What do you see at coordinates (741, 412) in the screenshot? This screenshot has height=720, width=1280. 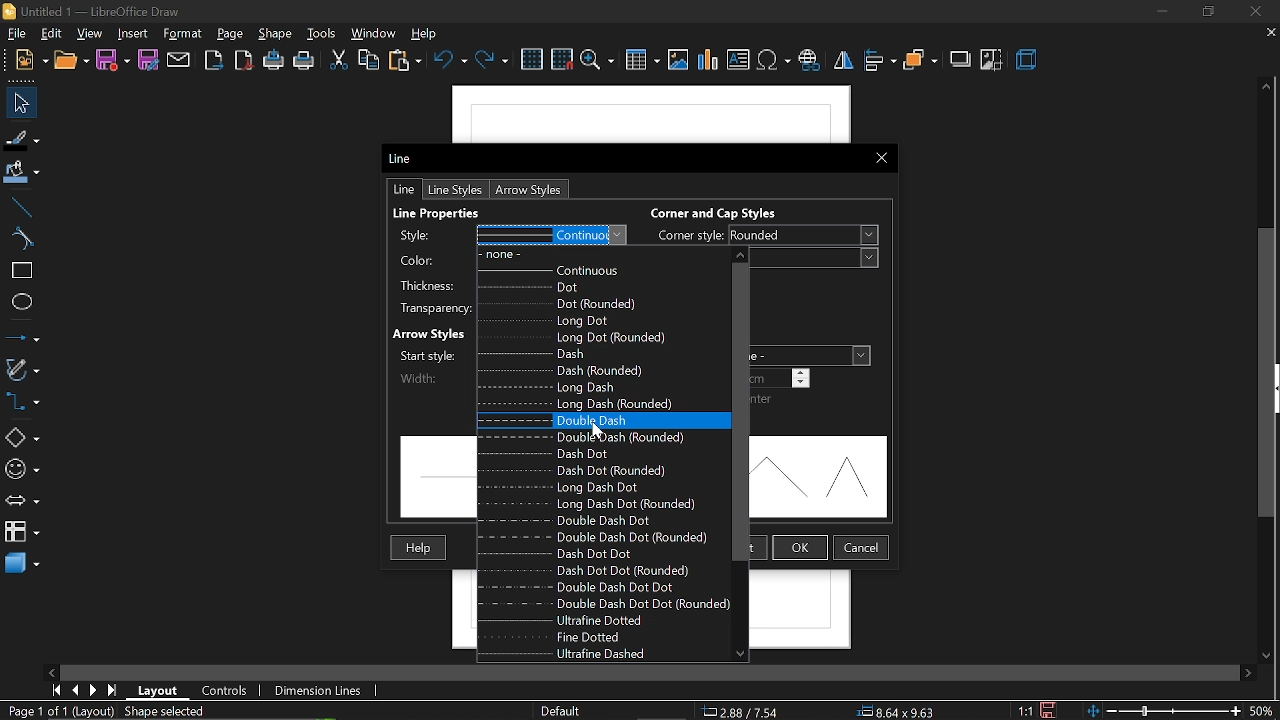 I see `Vertical scrollbar` at bounding box center [741, 412].